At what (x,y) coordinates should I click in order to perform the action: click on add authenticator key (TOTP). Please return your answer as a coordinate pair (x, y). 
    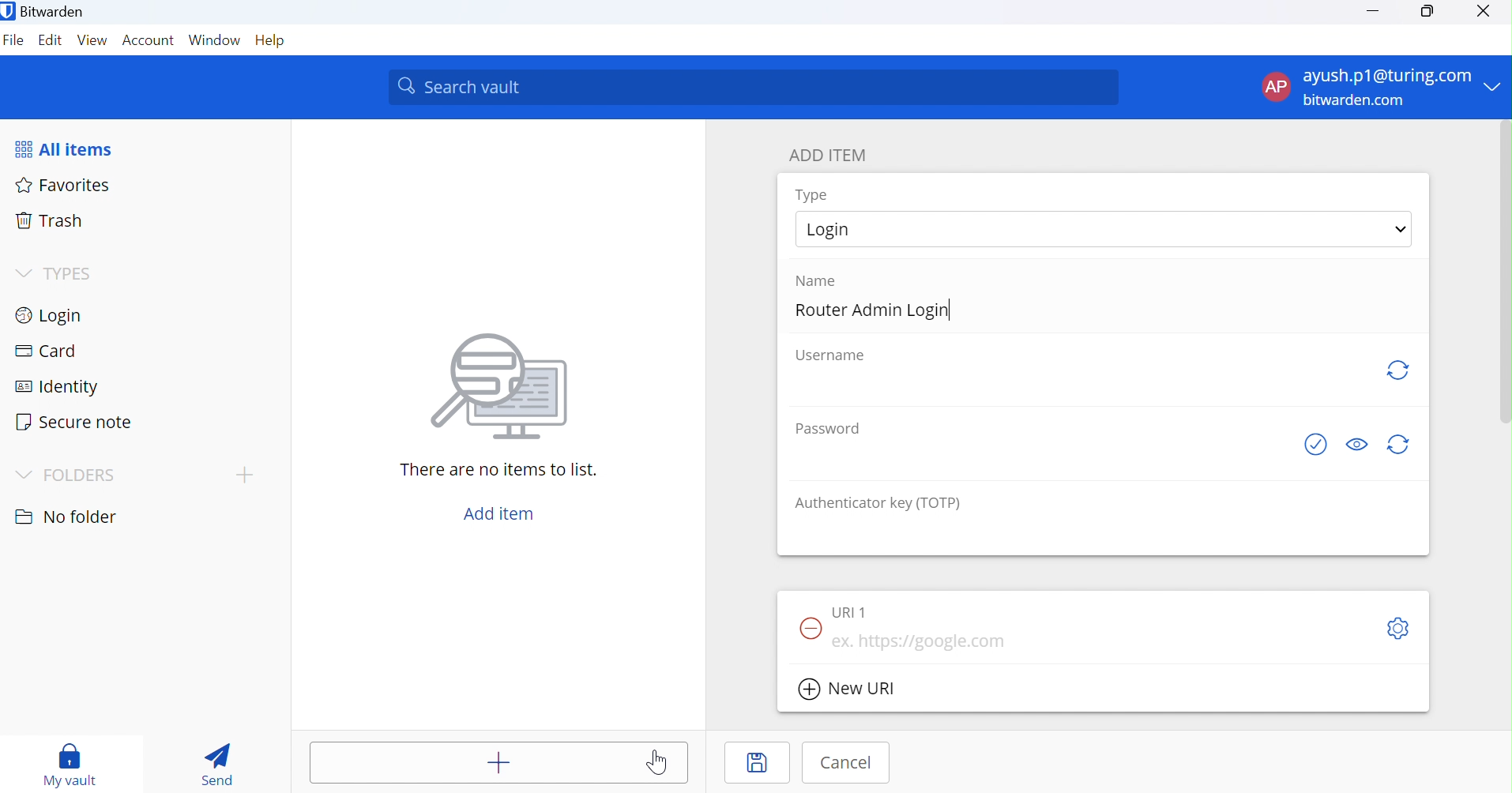
    Looking at the image, I should click on (1104, 534).